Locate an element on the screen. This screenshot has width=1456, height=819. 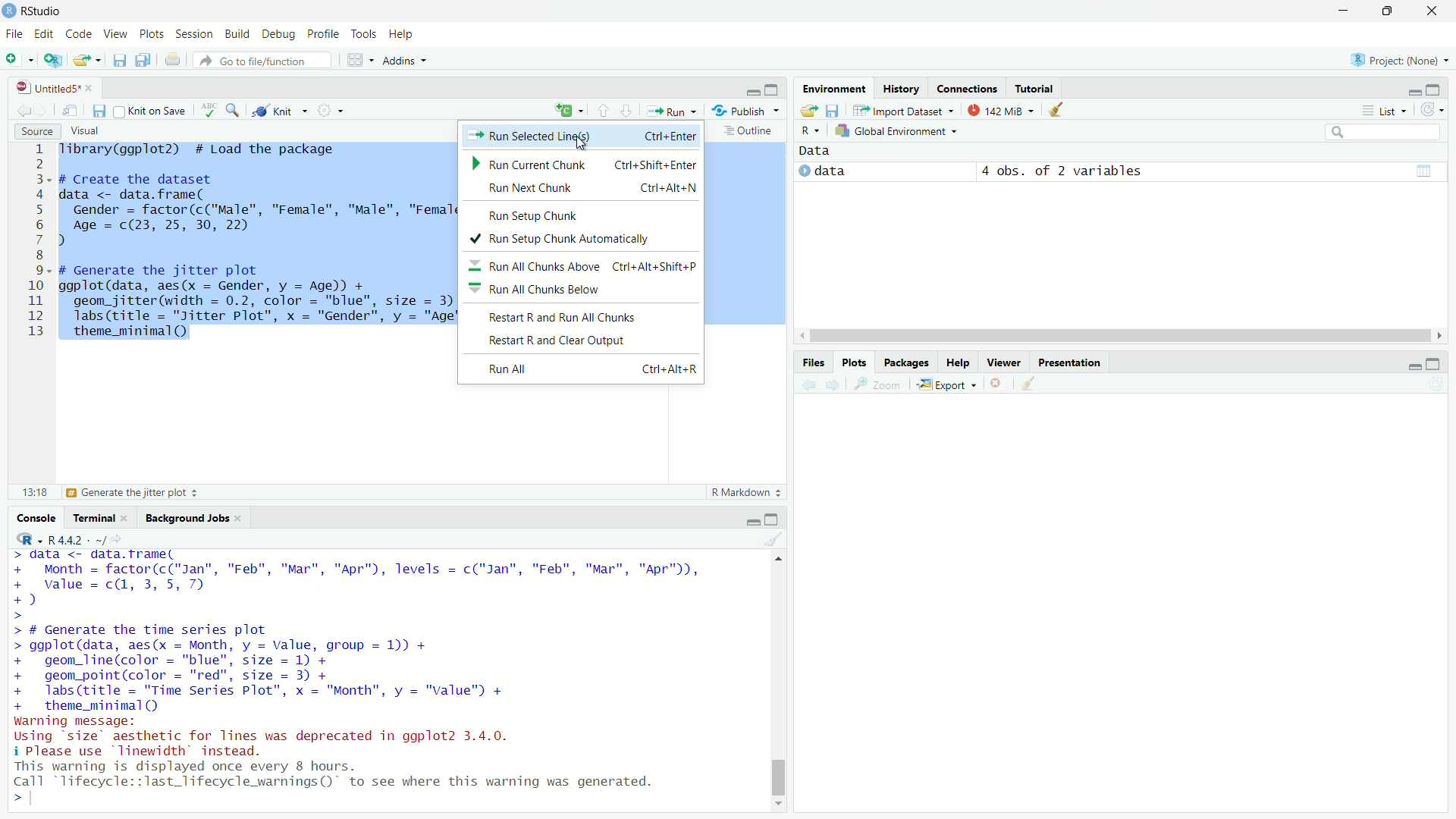
tools is located at coordinates (366, 32).